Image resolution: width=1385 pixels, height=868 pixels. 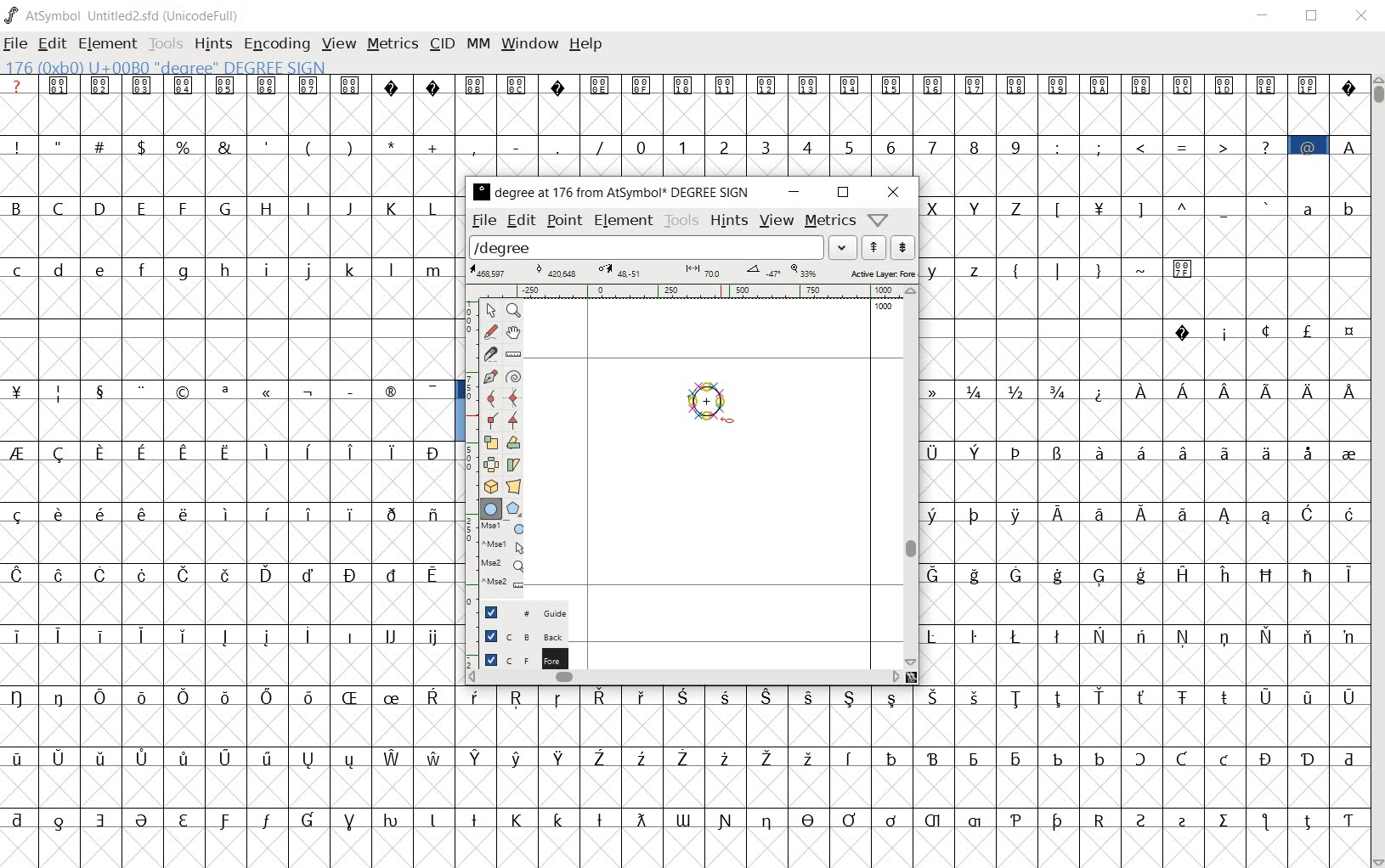 What do you see at coordinates (843, 194) in the screenshot?
I see `restore down` at bounding box center [843, 194].